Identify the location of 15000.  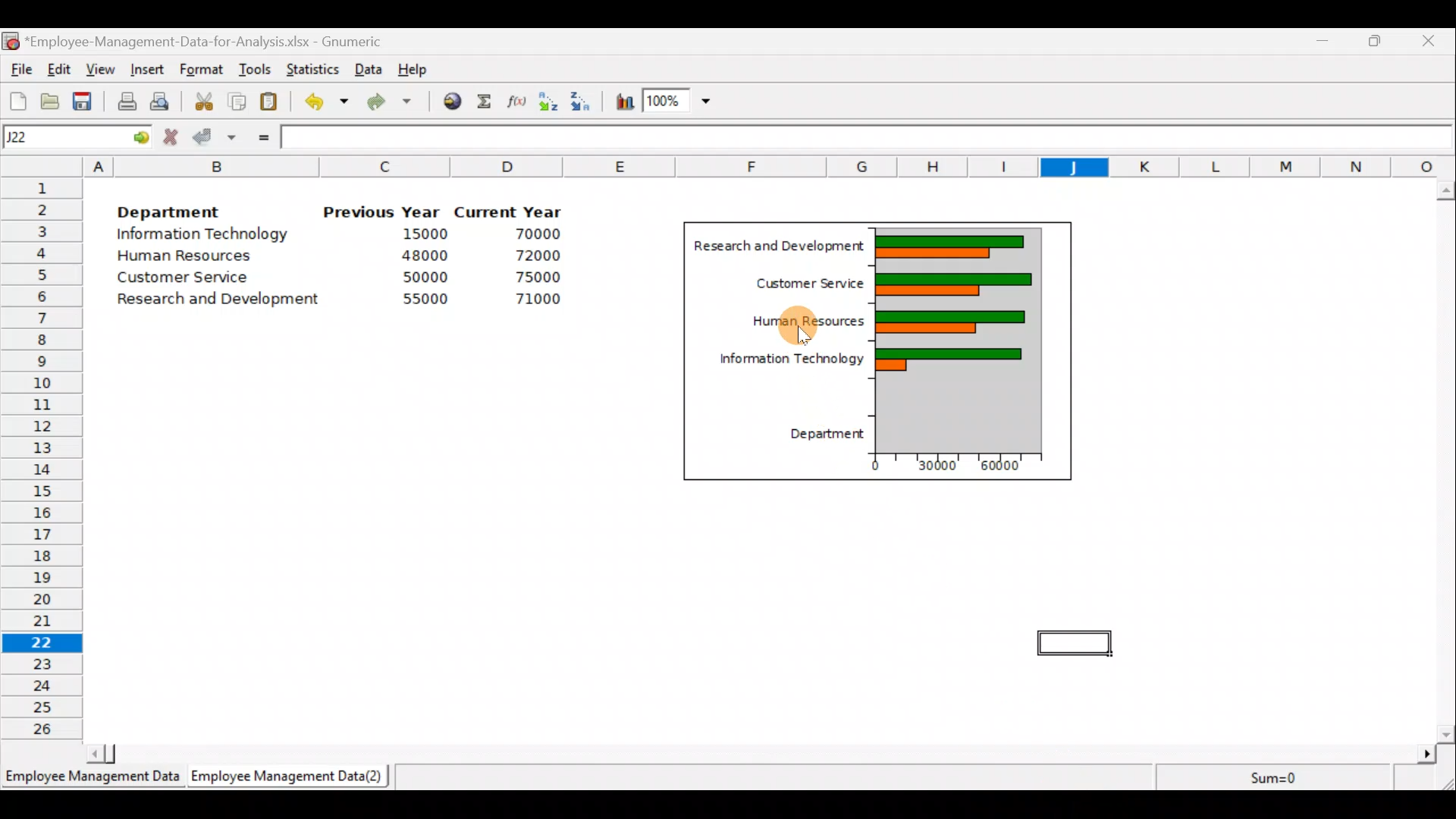
(420, 237).